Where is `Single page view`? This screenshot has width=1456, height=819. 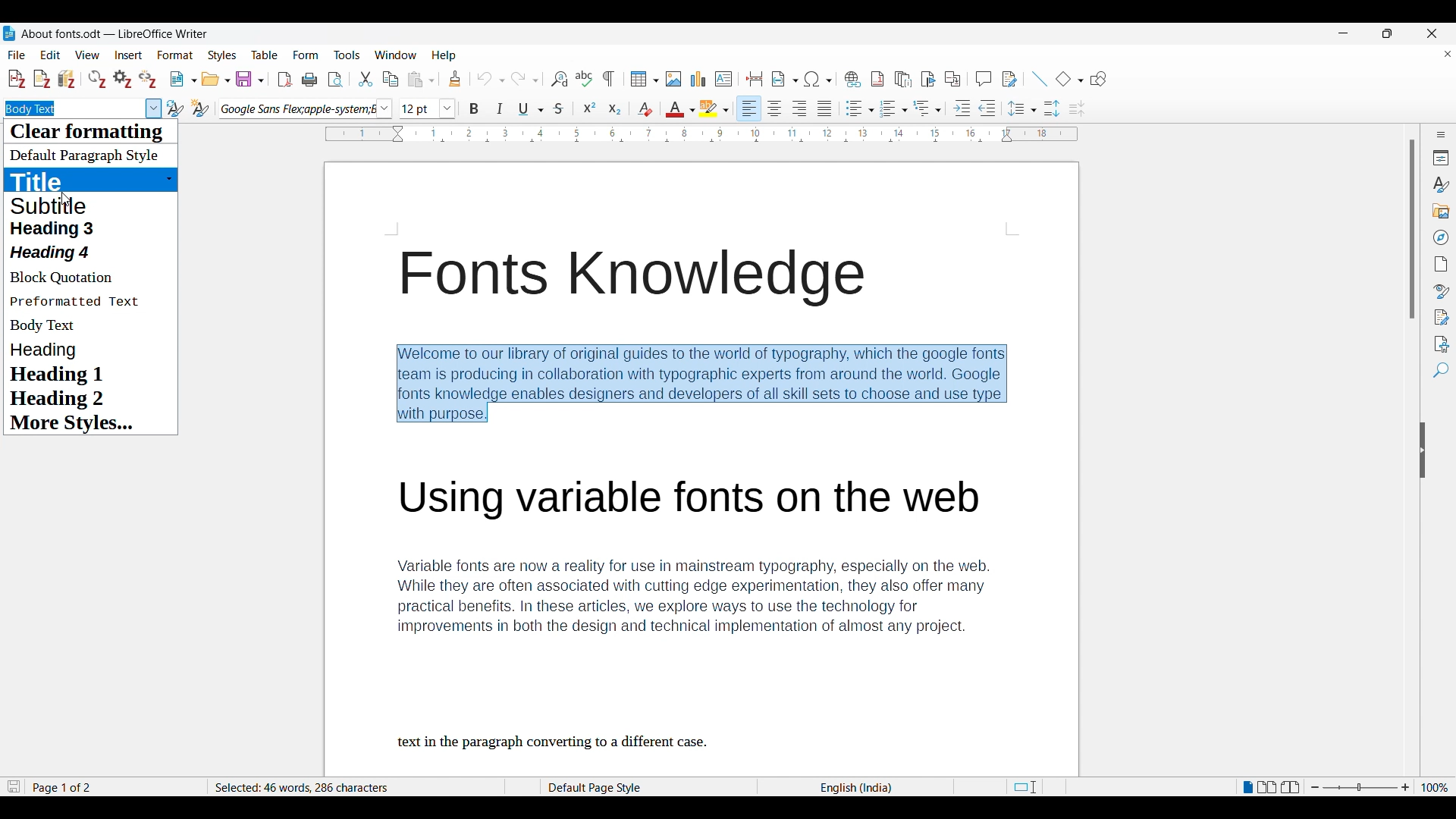
Single page view is located at coordinates (1247, 786).